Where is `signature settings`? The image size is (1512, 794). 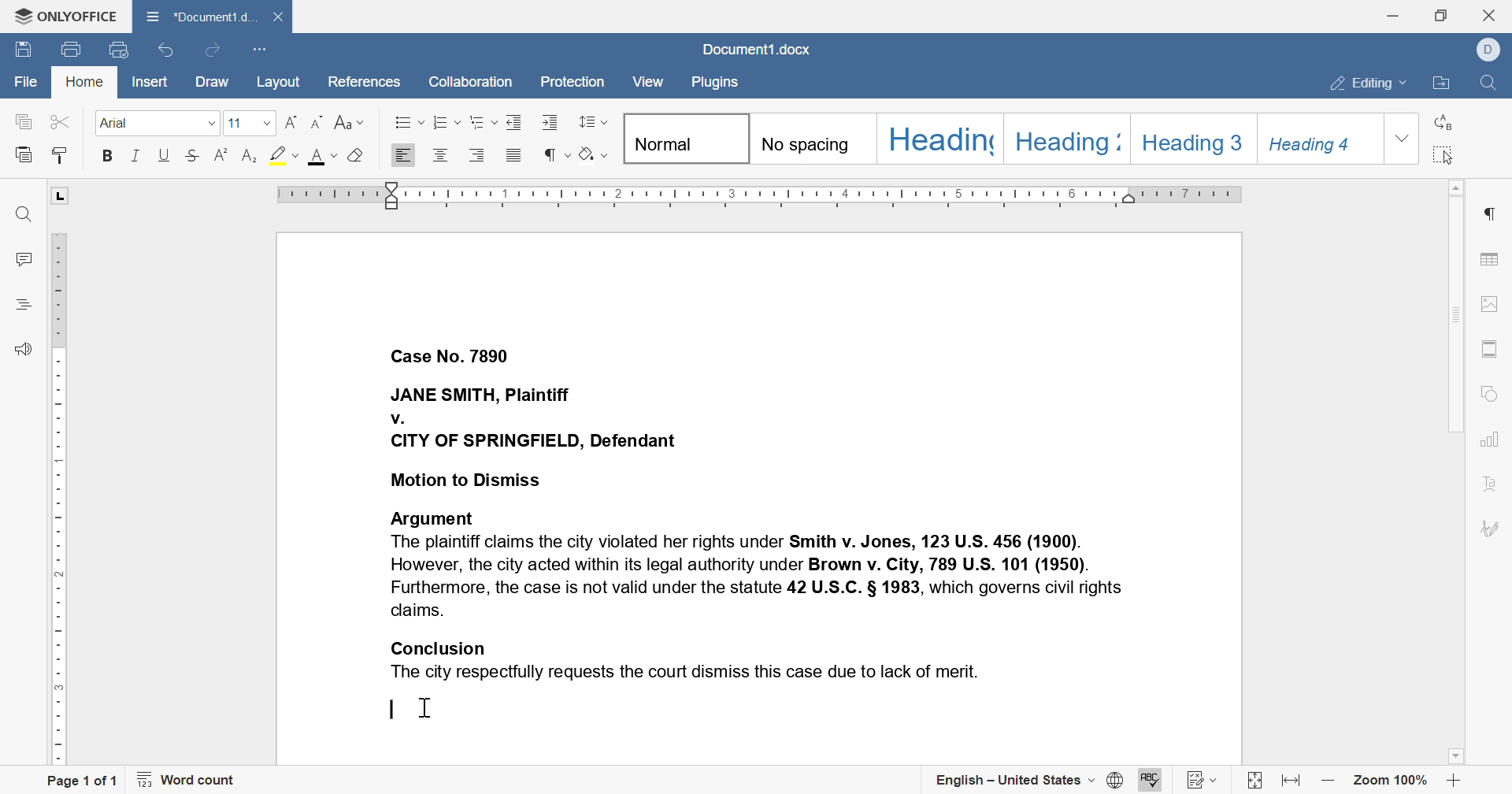 signature settings is located at coordinates (1489, 528).